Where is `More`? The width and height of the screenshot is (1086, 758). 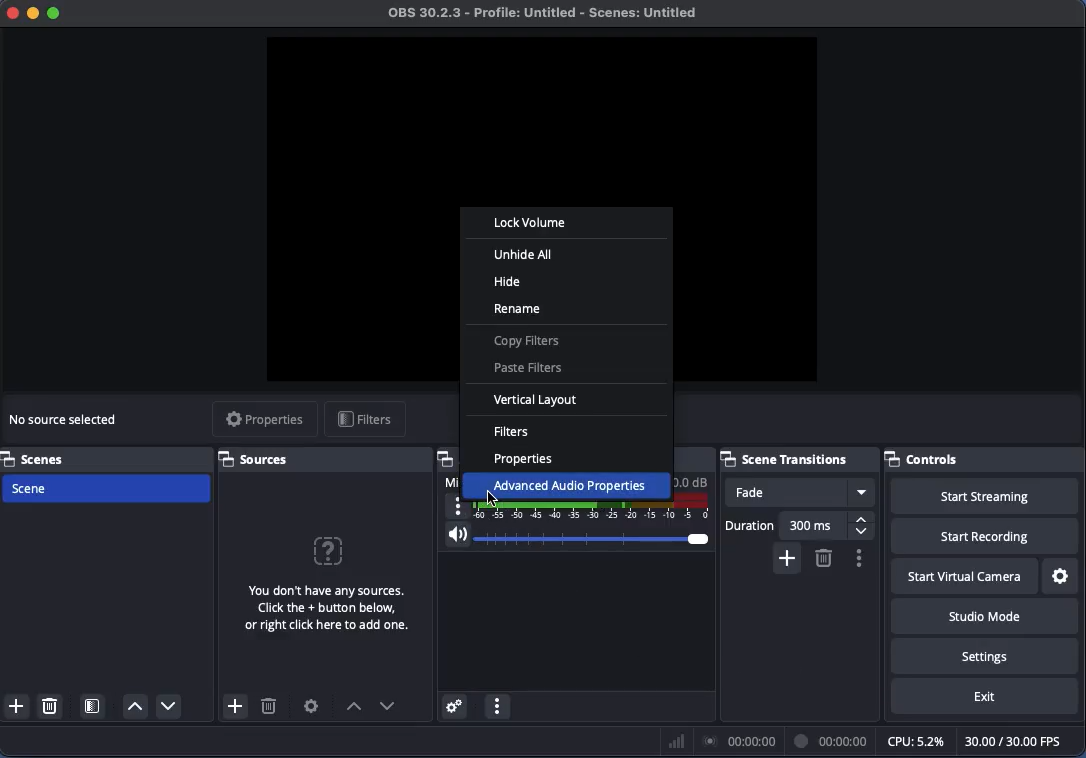 More is located at coordinates (458, 507).